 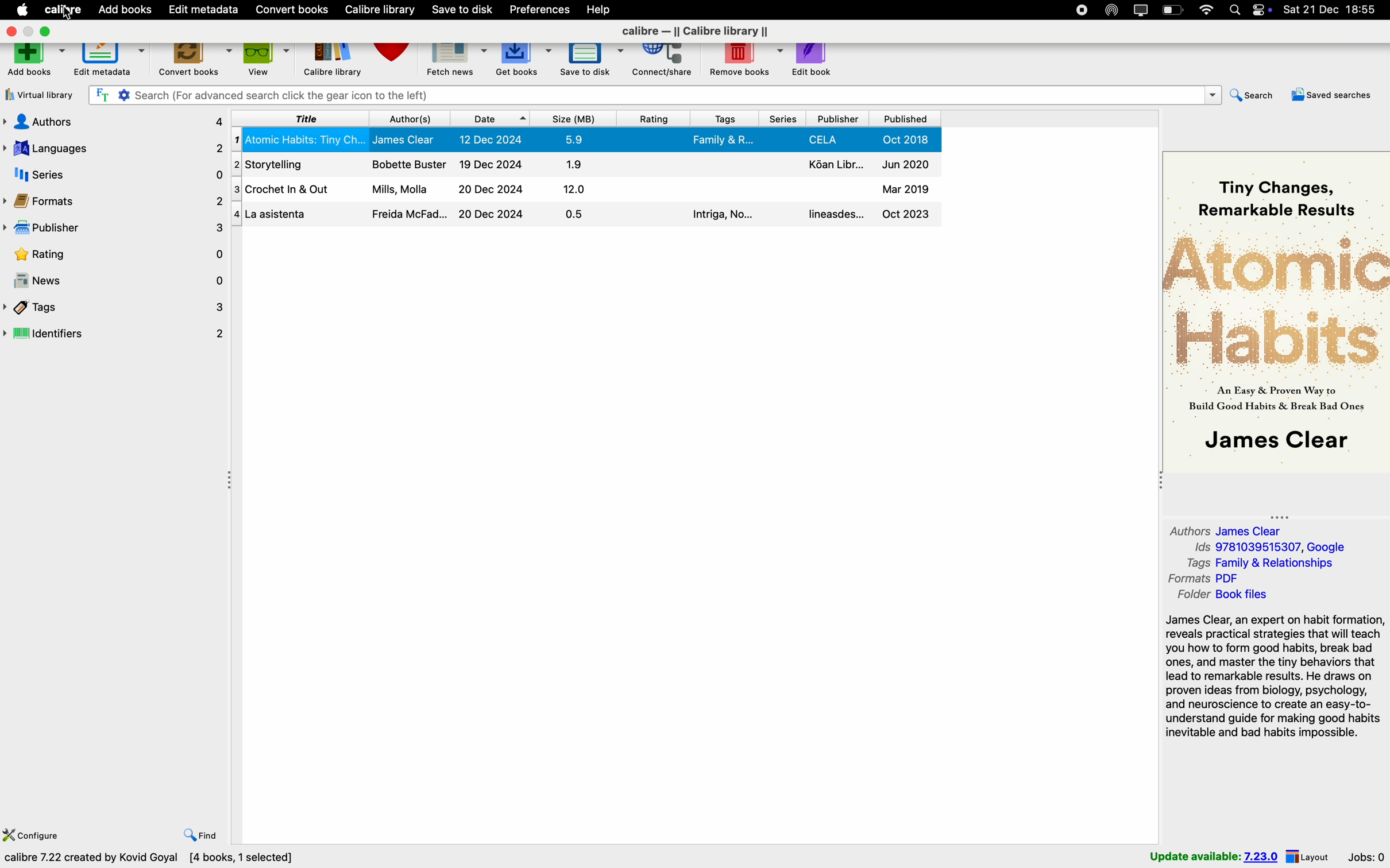 I want to click on tags, so click(x=723, y=118).